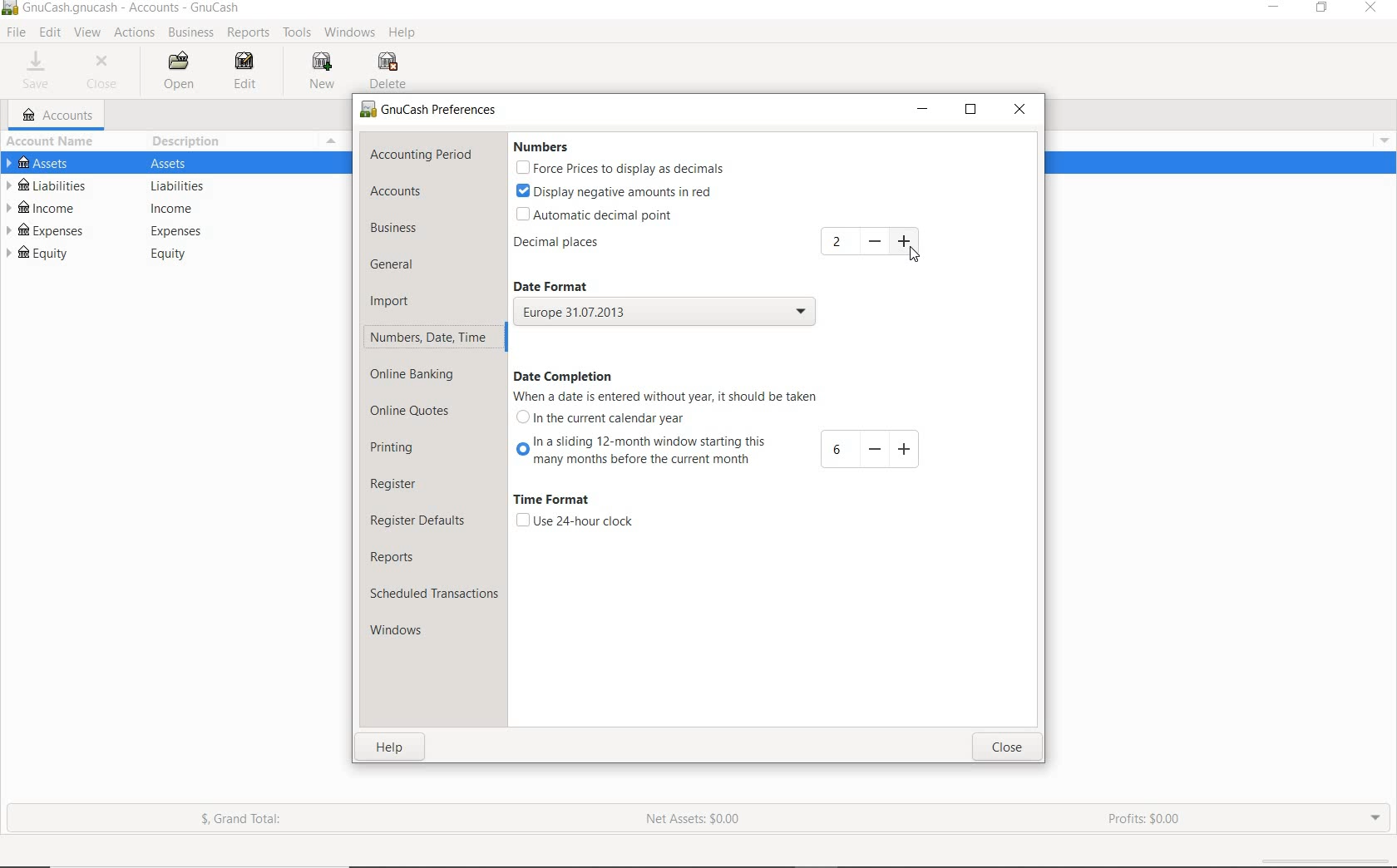 This screenshot has width=1397, height=868. Describe the element at coordinates (406, 630) in the screenshot. I see `windows` at that location.